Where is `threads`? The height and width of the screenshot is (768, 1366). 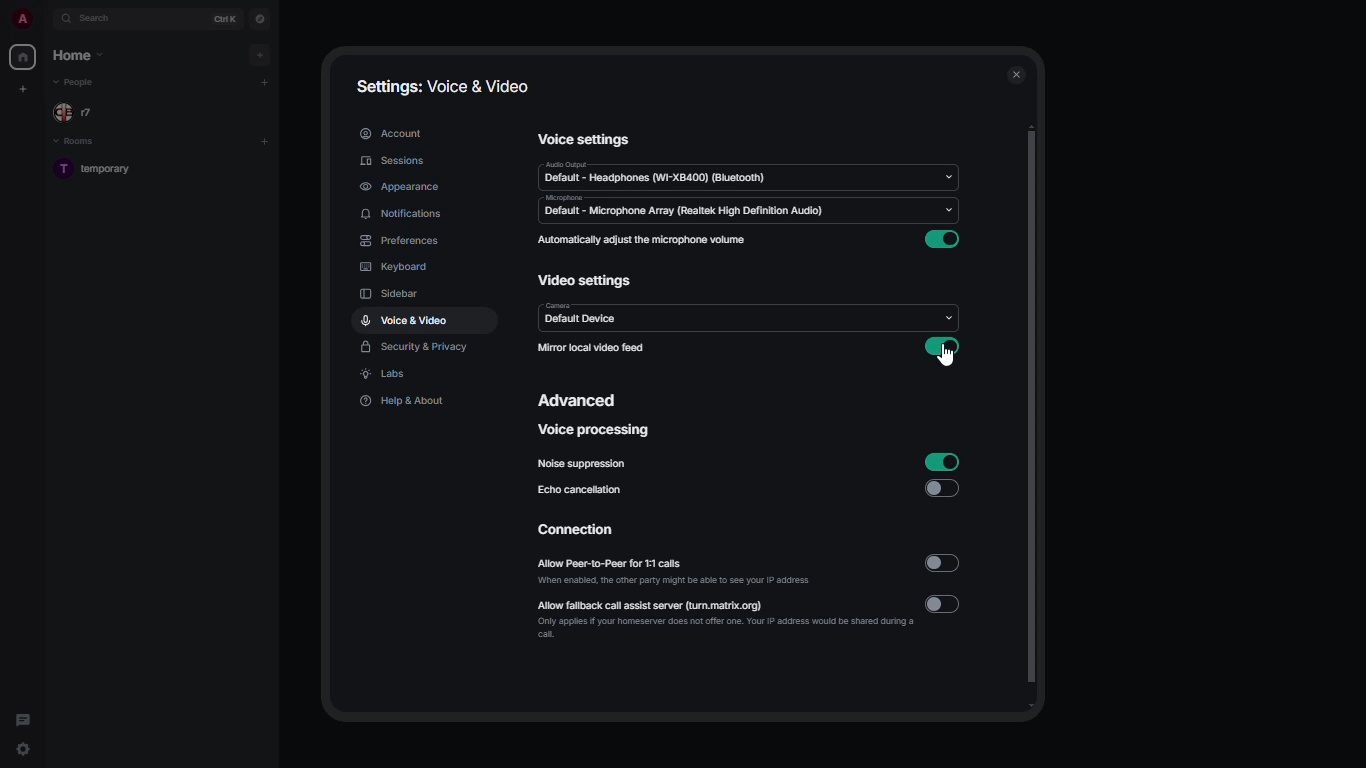
threads is located at coordinates (23, 716).